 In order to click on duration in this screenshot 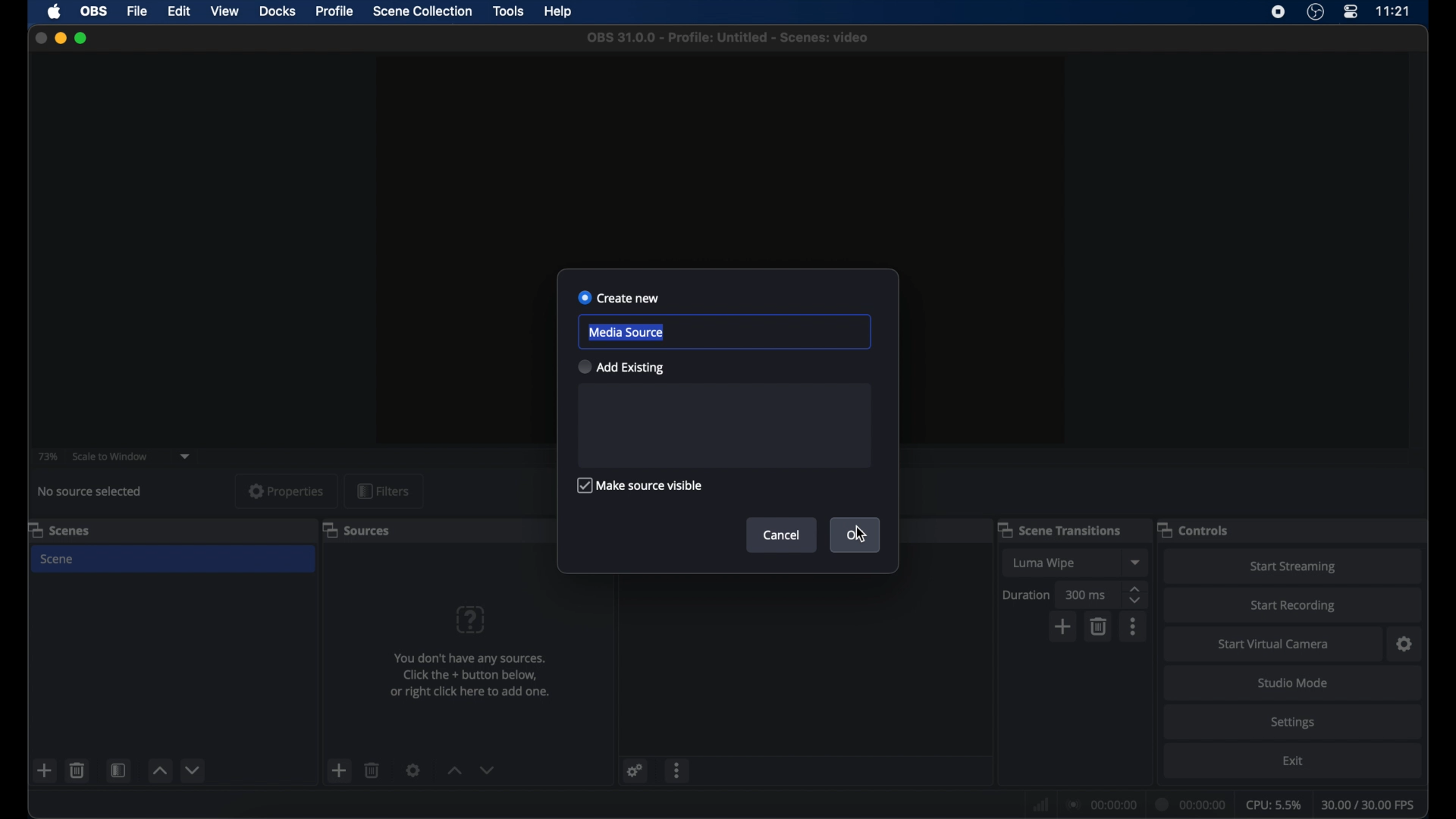, I will do `click(1191, 805)`.